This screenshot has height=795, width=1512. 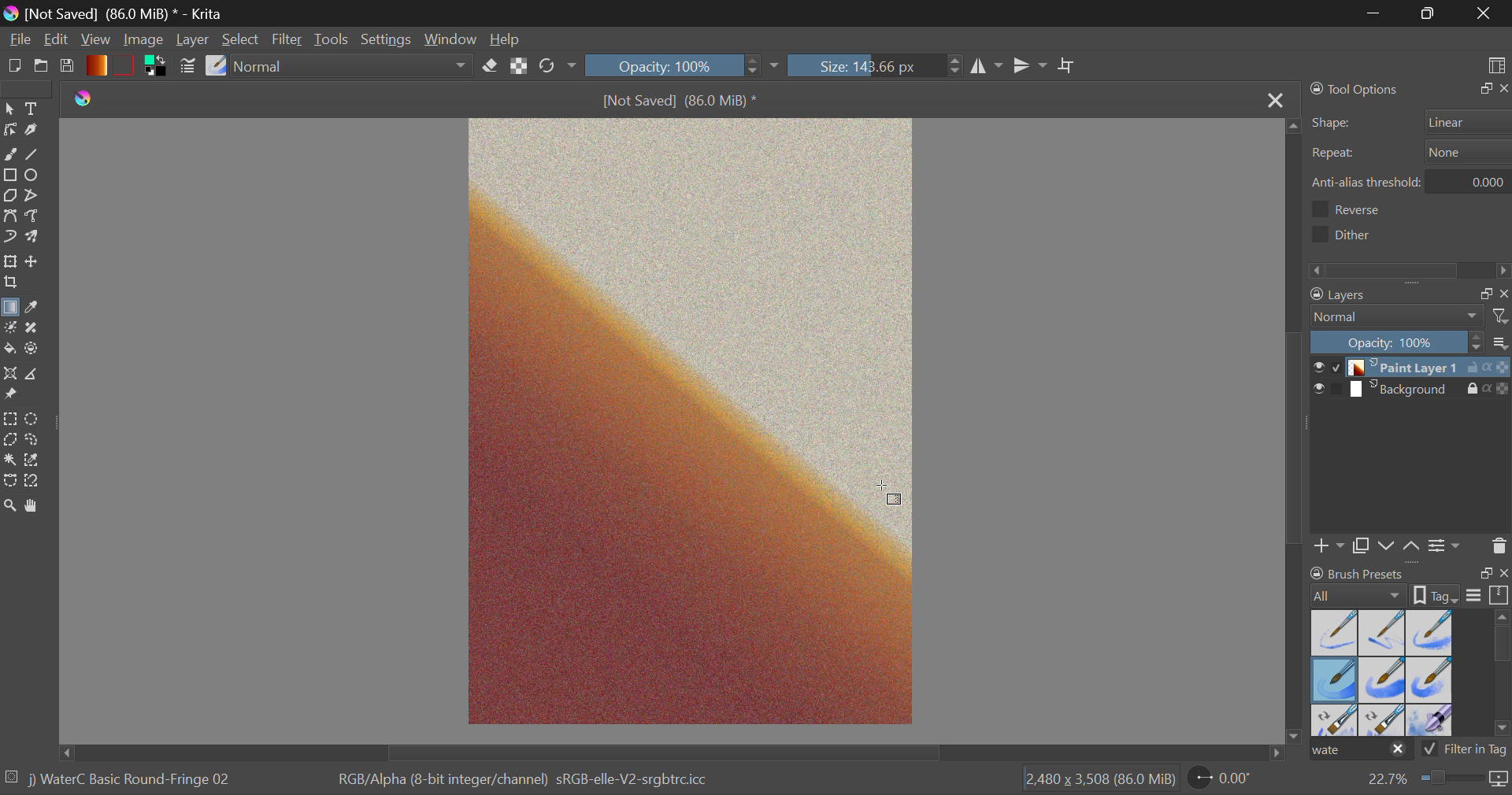 I want to click on menu, so click(x=1503, y=345).